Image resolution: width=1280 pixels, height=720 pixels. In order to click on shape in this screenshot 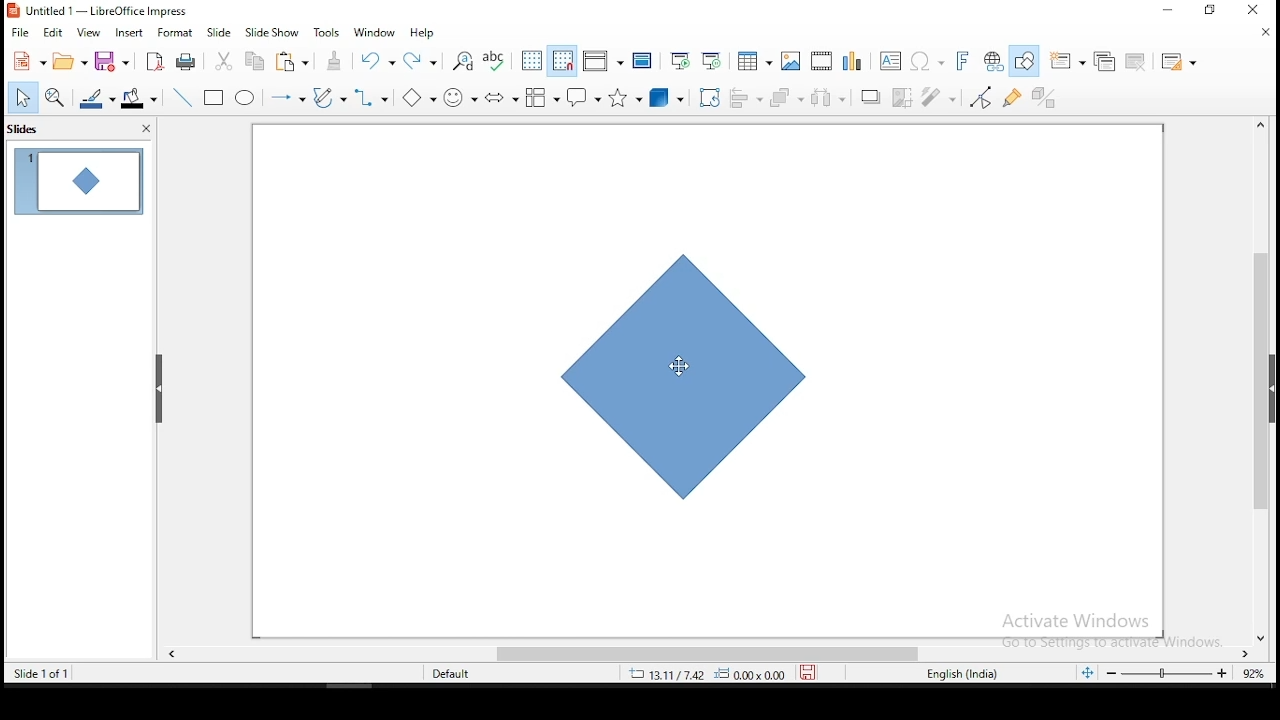, I will do `click(693, 378)`.